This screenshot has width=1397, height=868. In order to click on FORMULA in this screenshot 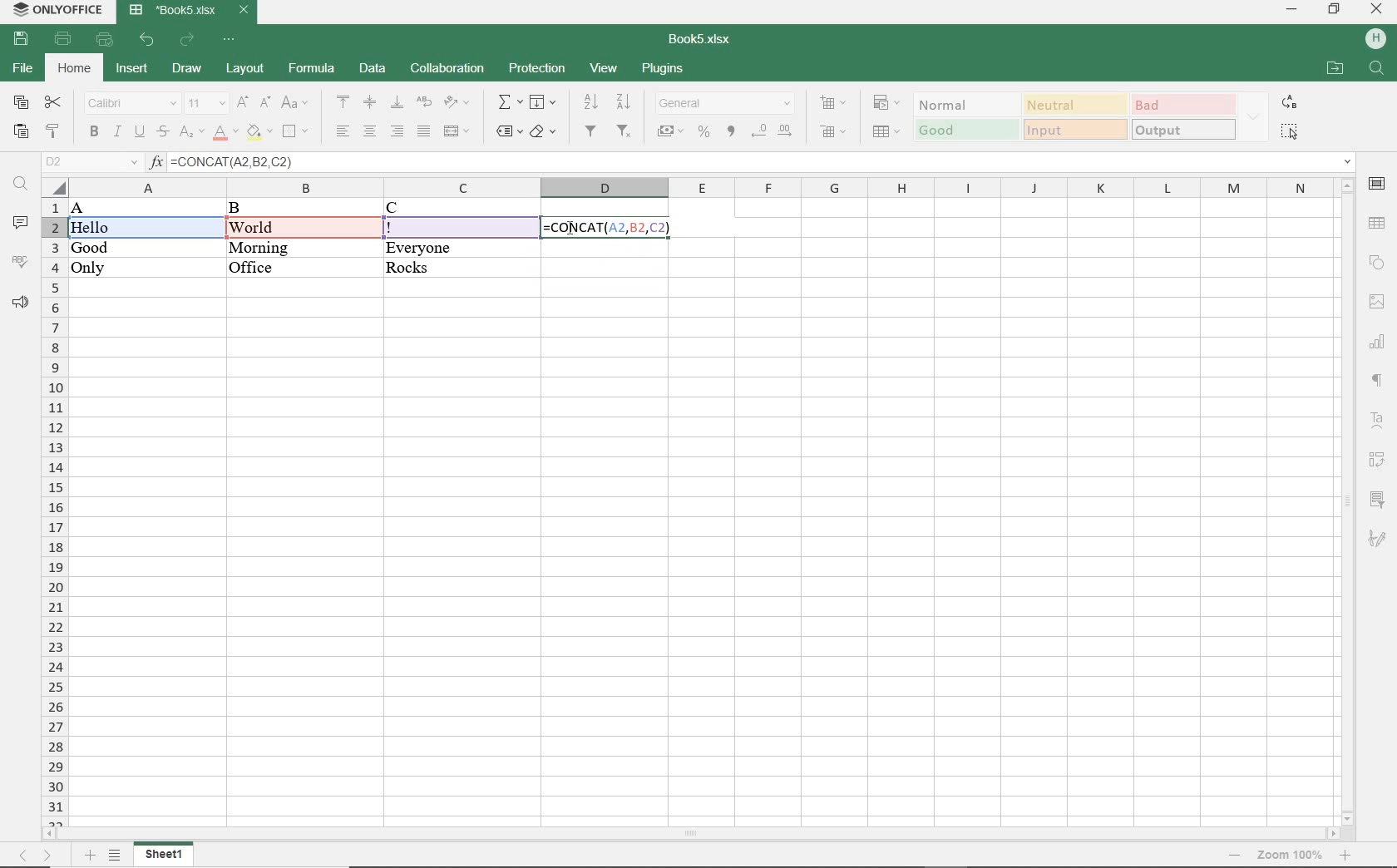, I will do `click(309, 70)`.